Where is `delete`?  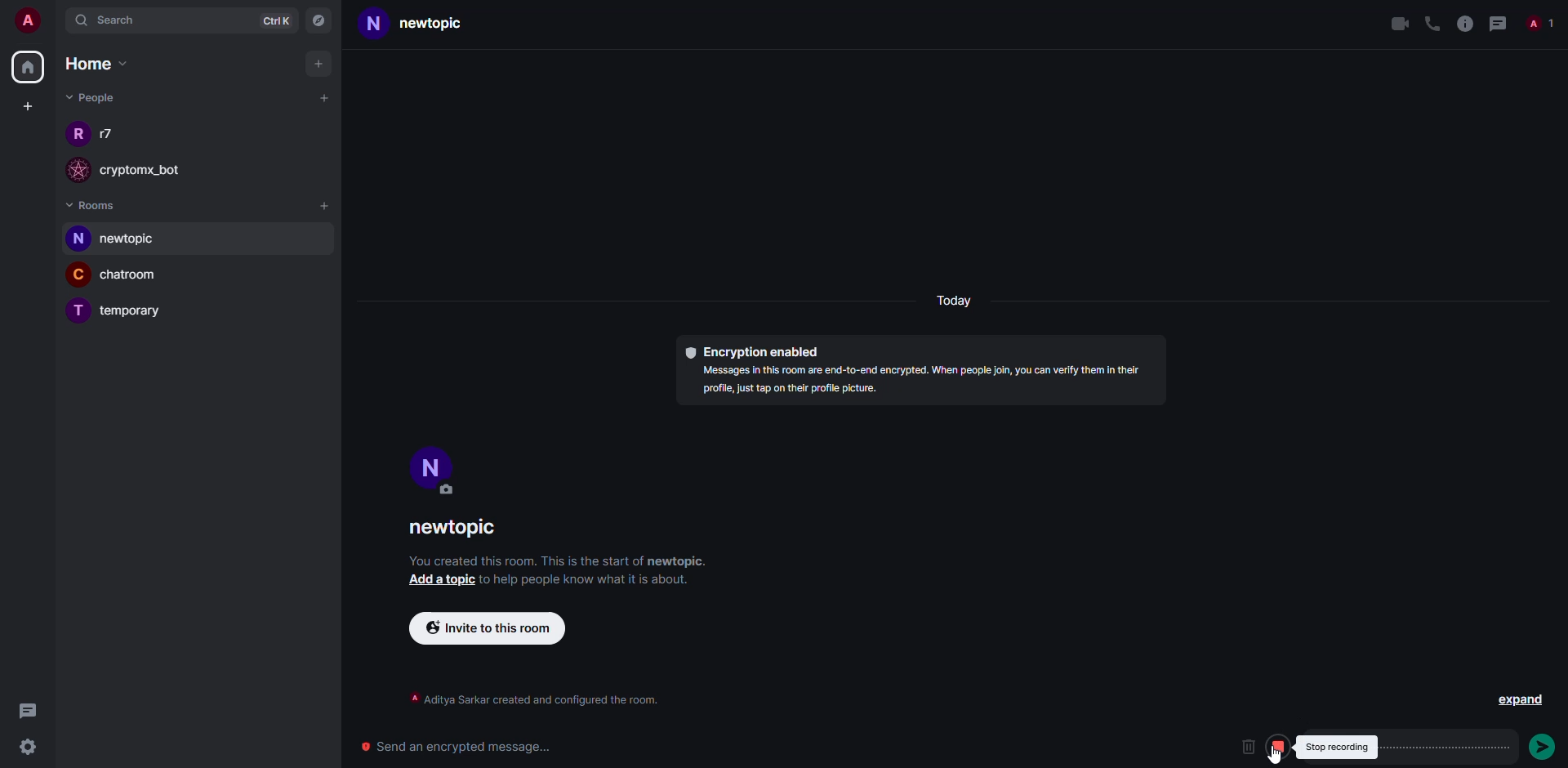 delete is located at coordinates (1247, 746).